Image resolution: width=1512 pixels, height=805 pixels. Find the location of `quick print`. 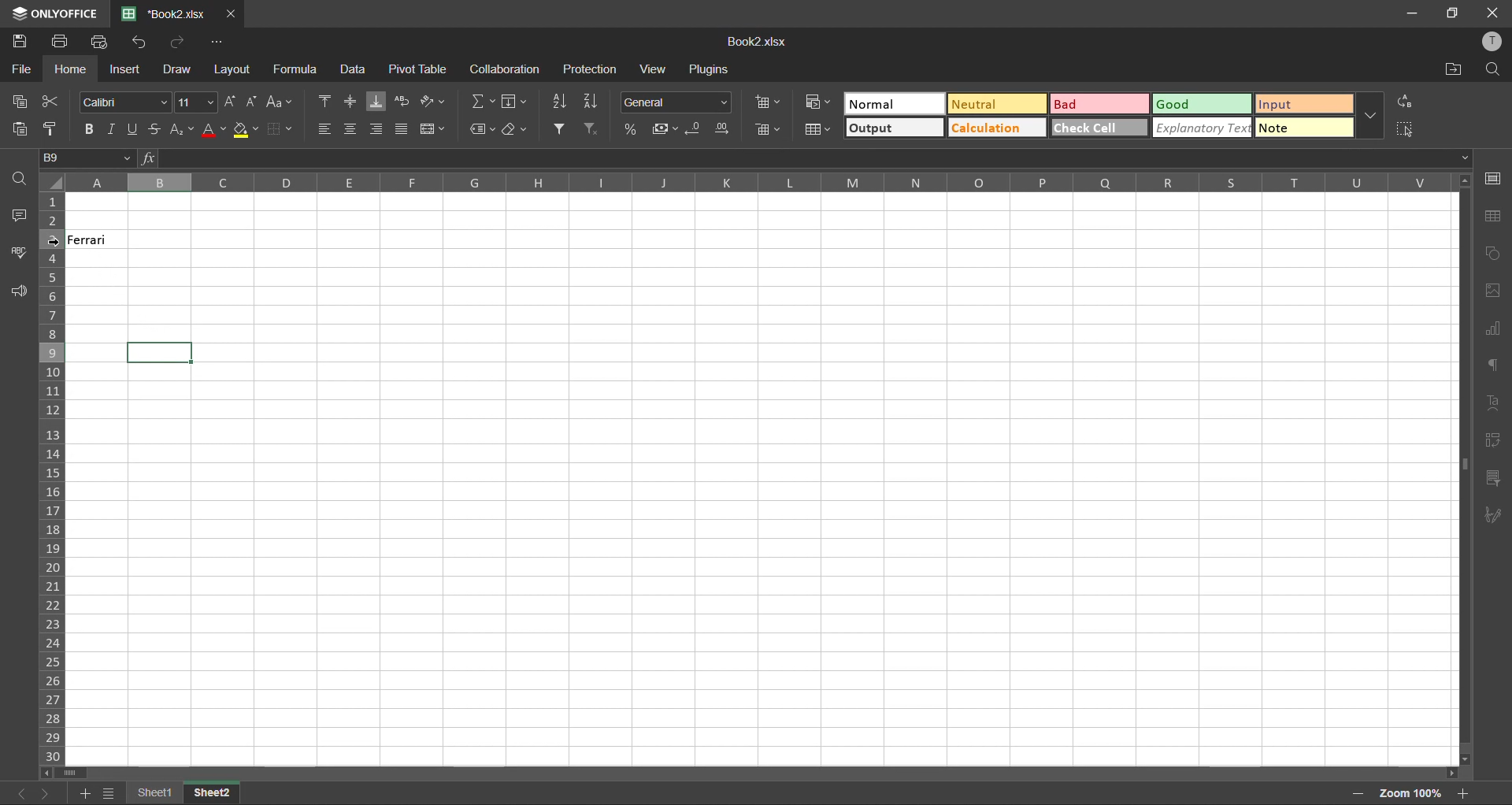

quick print is located at coordinates (101, 42).